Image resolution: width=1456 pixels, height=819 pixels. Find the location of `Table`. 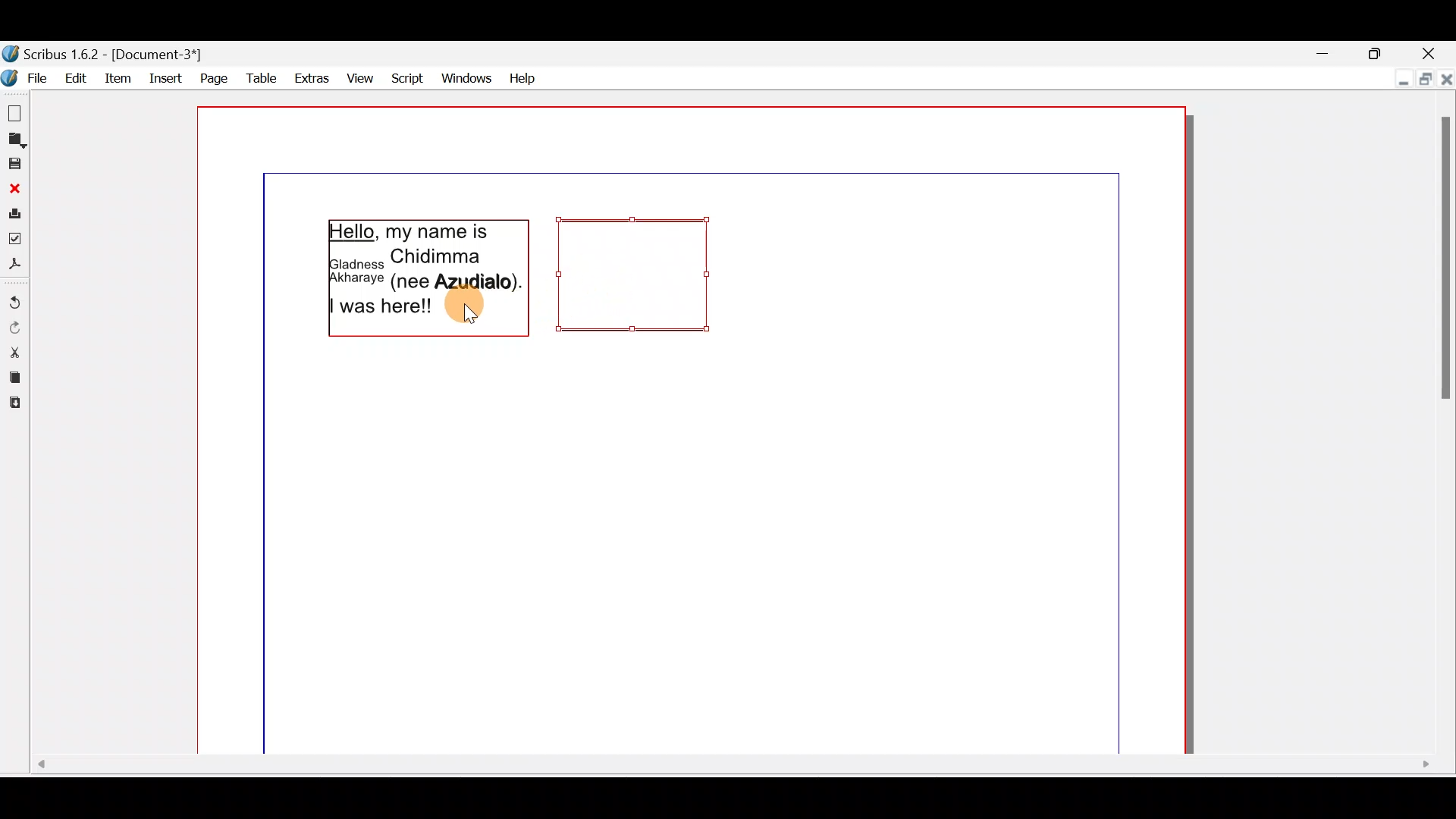

Table is located at coordinates (256, 78).